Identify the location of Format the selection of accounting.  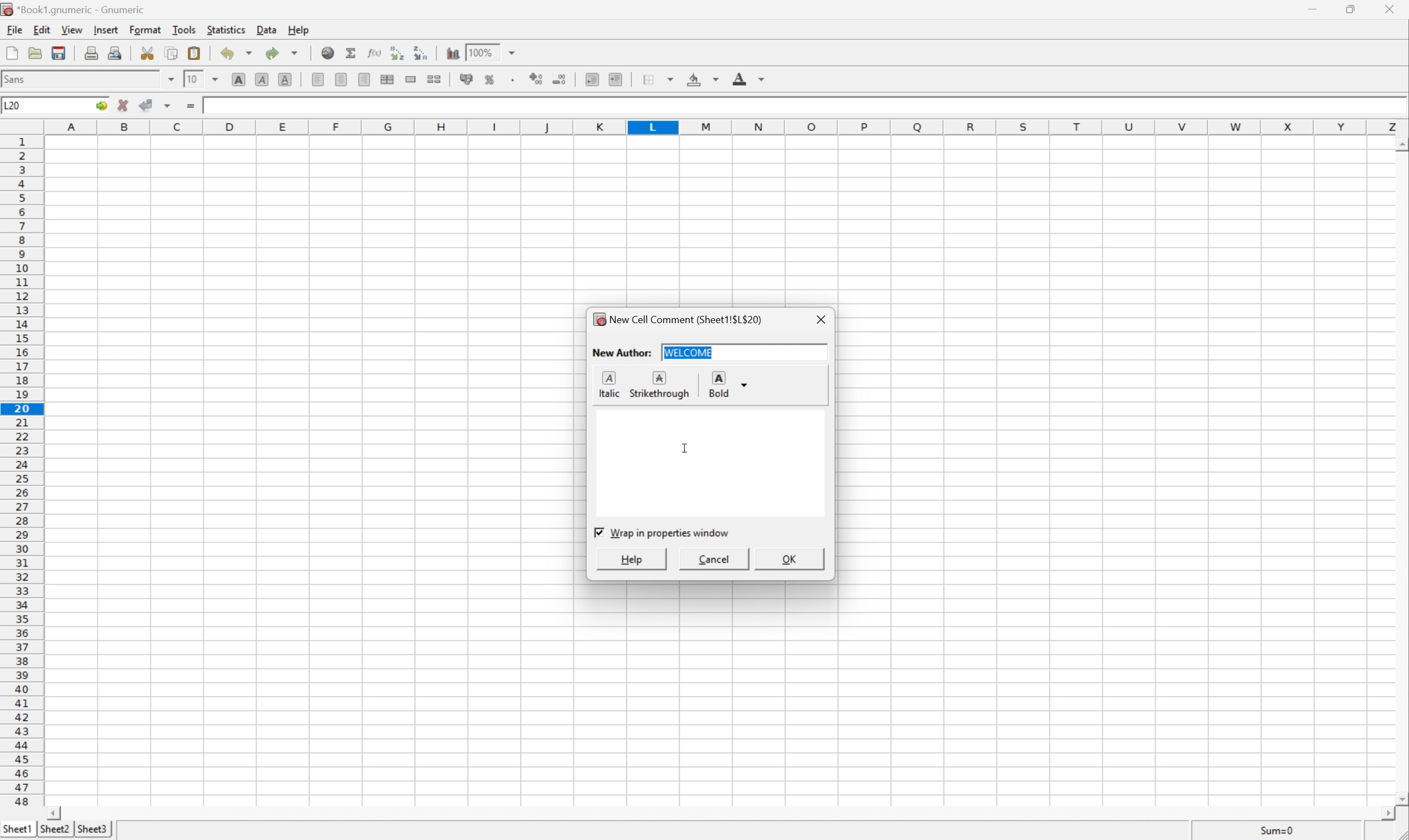
(468, 79).